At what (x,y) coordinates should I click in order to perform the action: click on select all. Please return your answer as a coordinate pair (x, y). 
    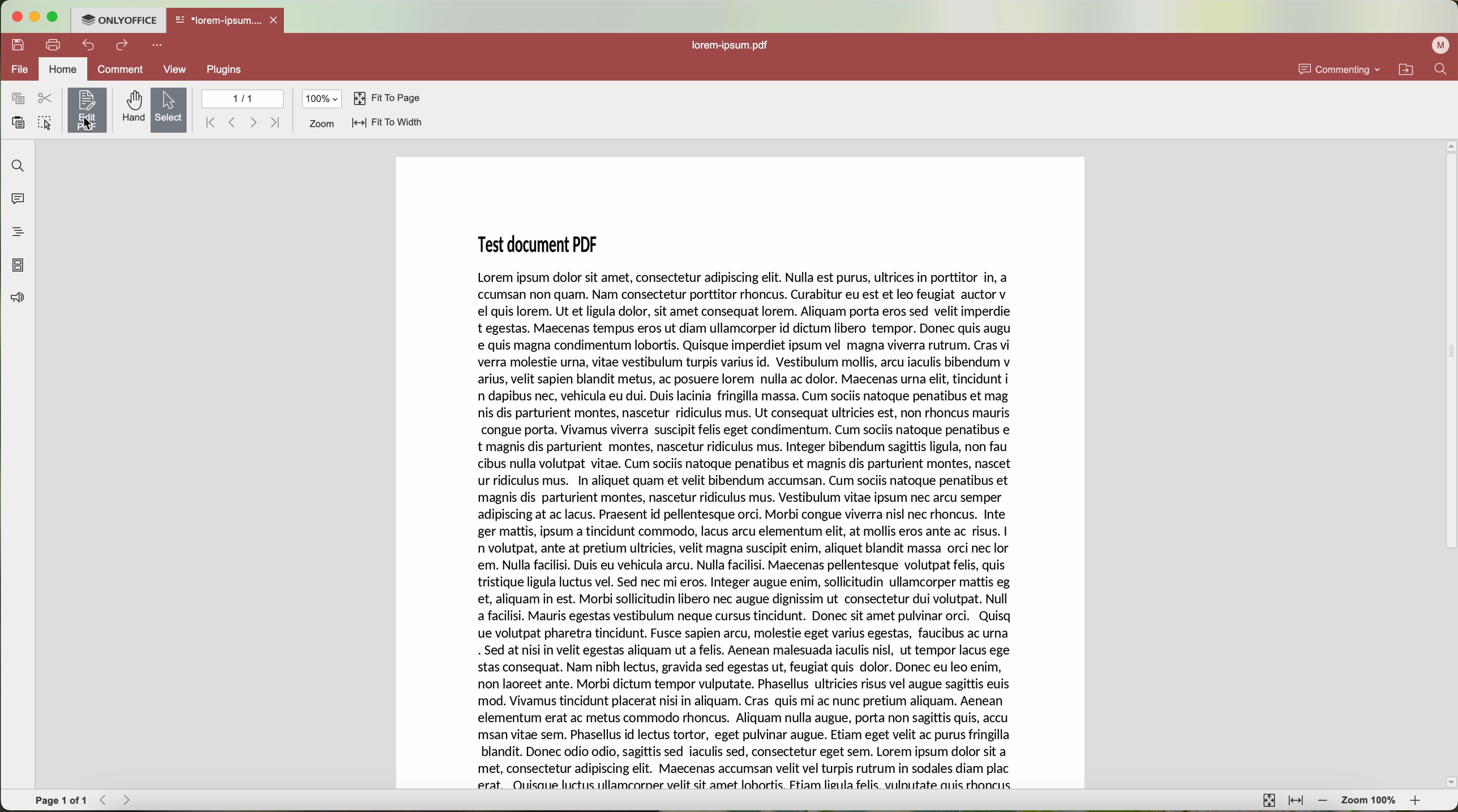
    Looking at the image, I should click on (46, 122).